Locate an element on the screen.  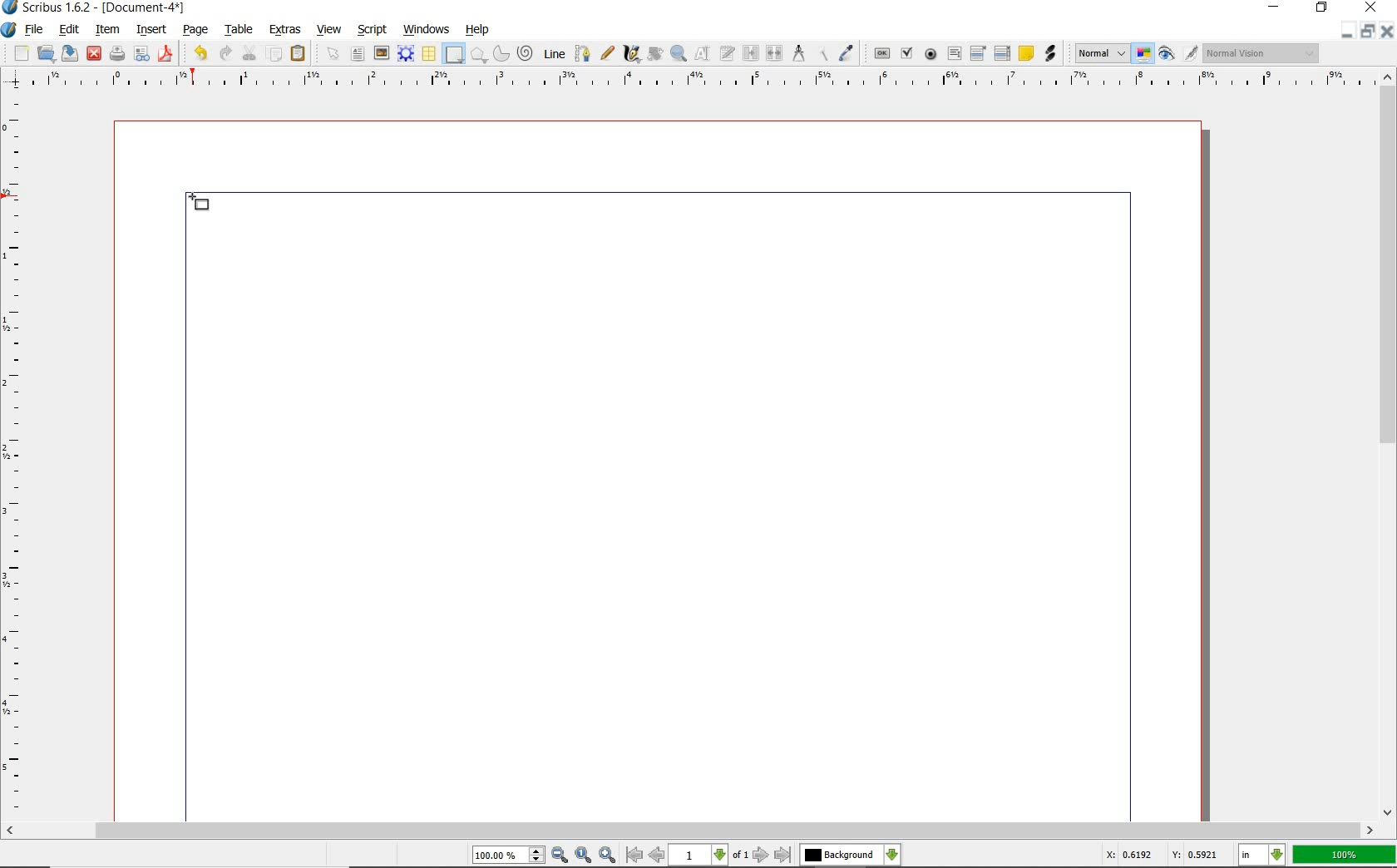
measurements is located at coordinates (798, 54).